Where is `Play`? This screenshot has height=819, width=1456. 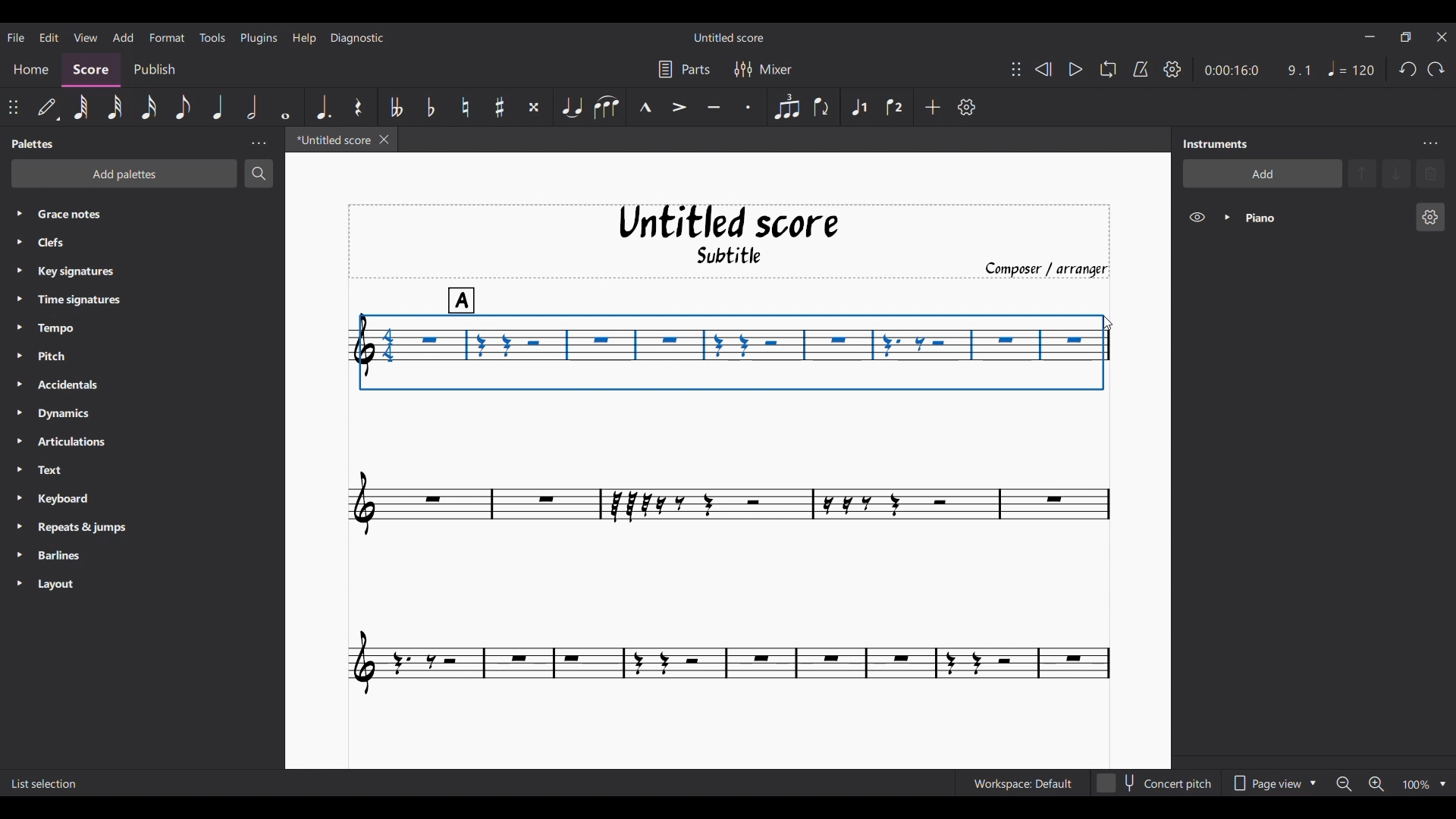 Play is located at coordinates (1075, 69).